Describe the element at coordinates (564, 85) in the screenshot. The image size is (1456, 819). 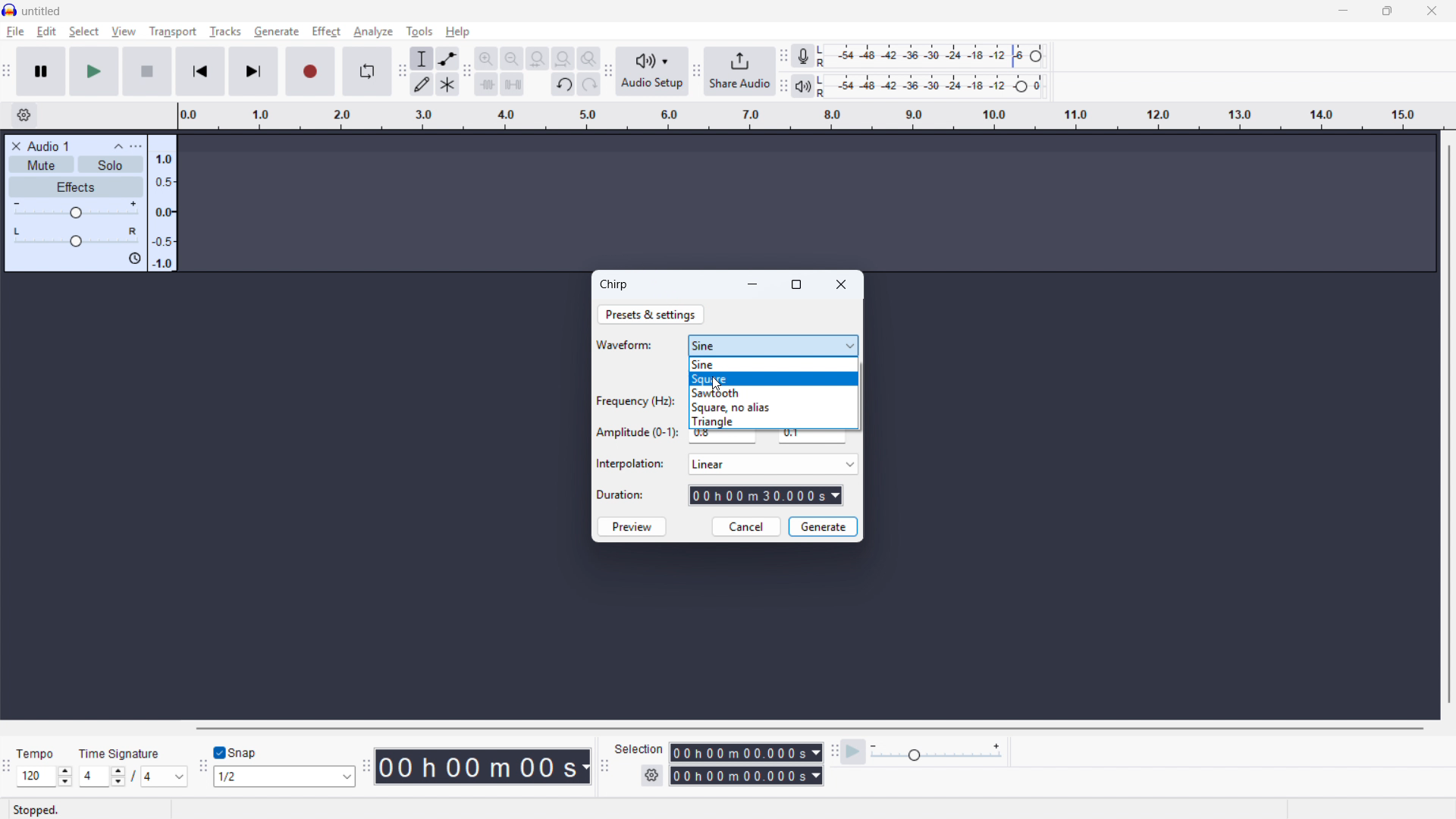
I see `Undo ` at that location.